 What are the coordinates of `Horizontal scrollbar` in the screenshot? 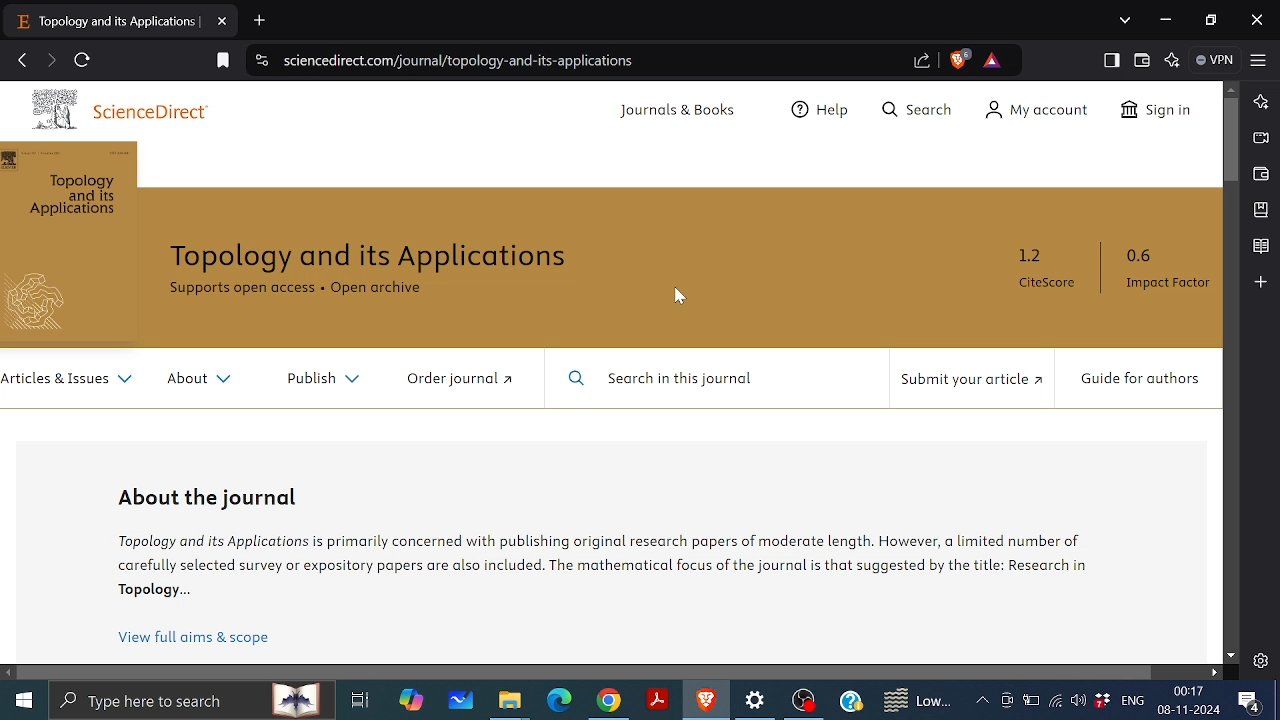 It's located at (588, 673).